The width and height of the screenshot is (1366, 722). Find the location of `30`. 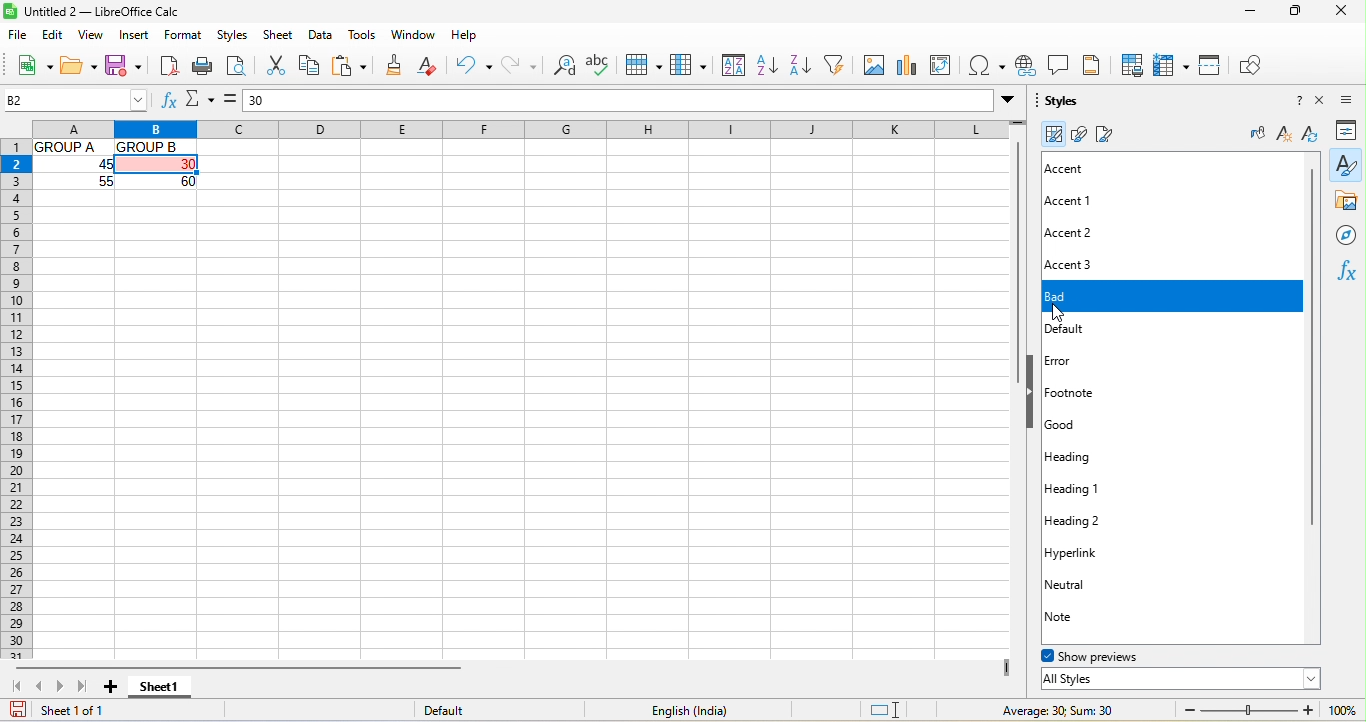

30 is located at coordinates (629, 100).